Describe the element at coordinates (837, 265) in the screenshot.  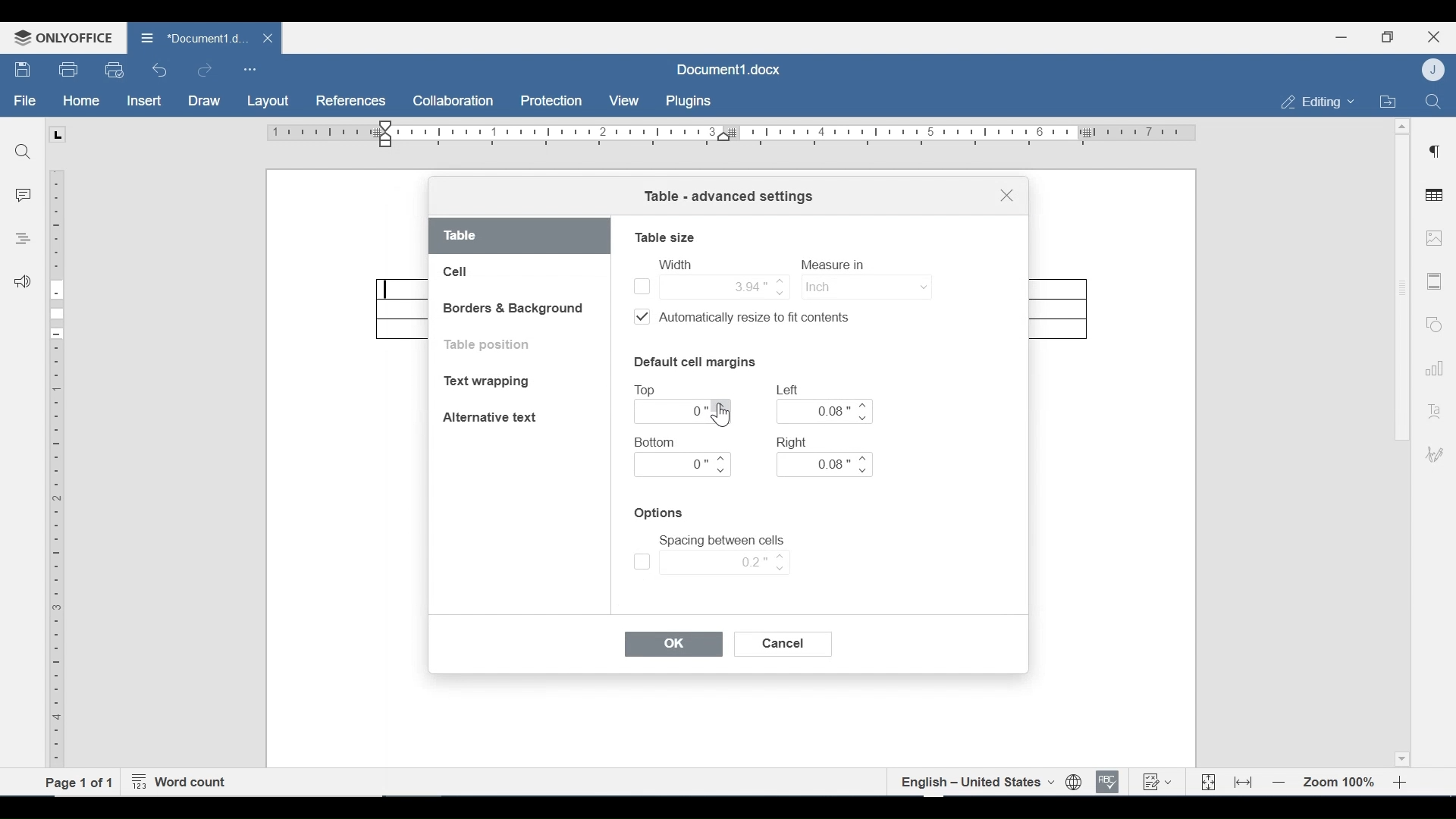
I see `Measure in` at that location.